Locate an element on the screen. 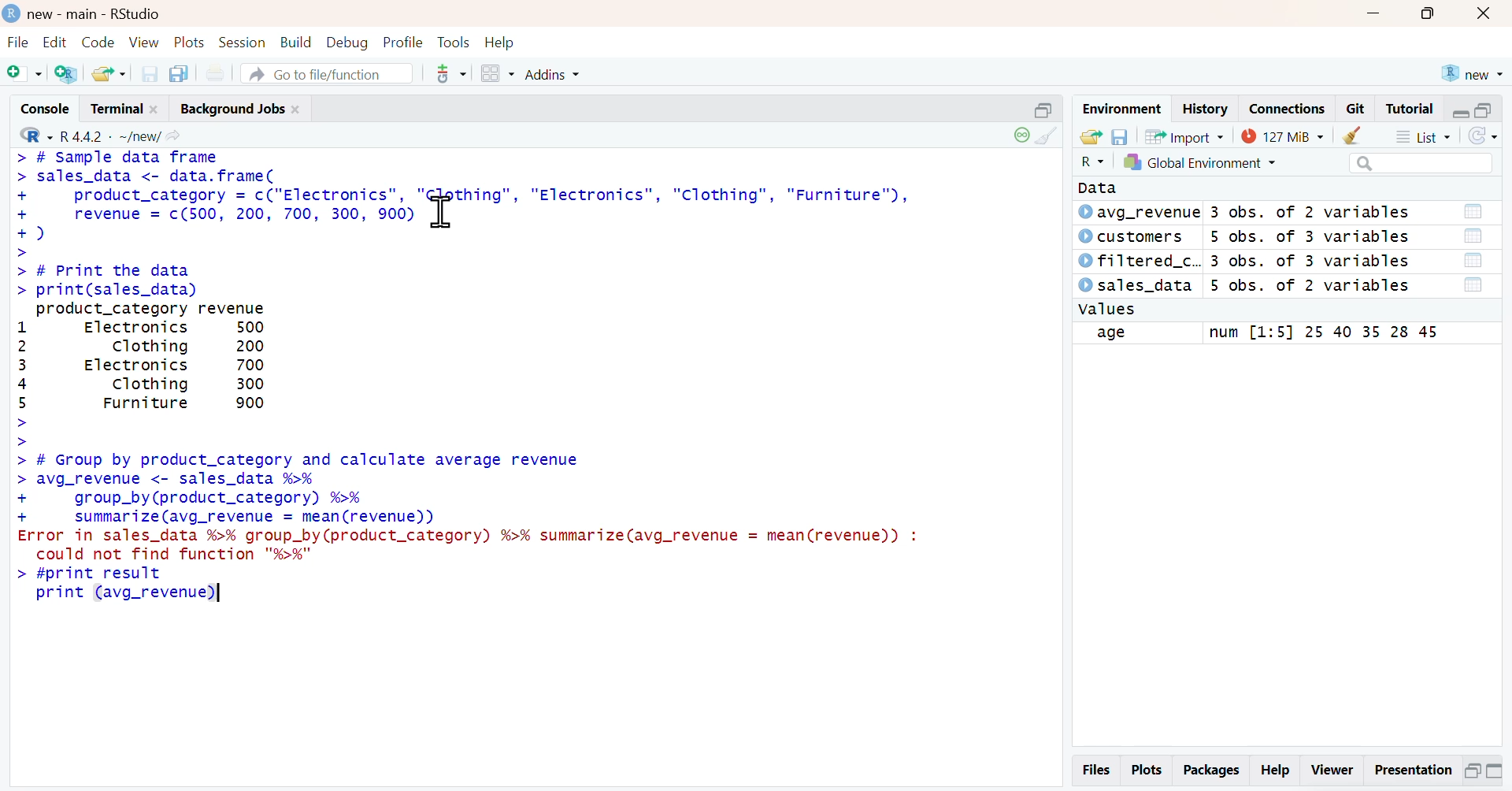 This screenshot has height=791, width=1512. git commit is located at coordinates (446, 74).